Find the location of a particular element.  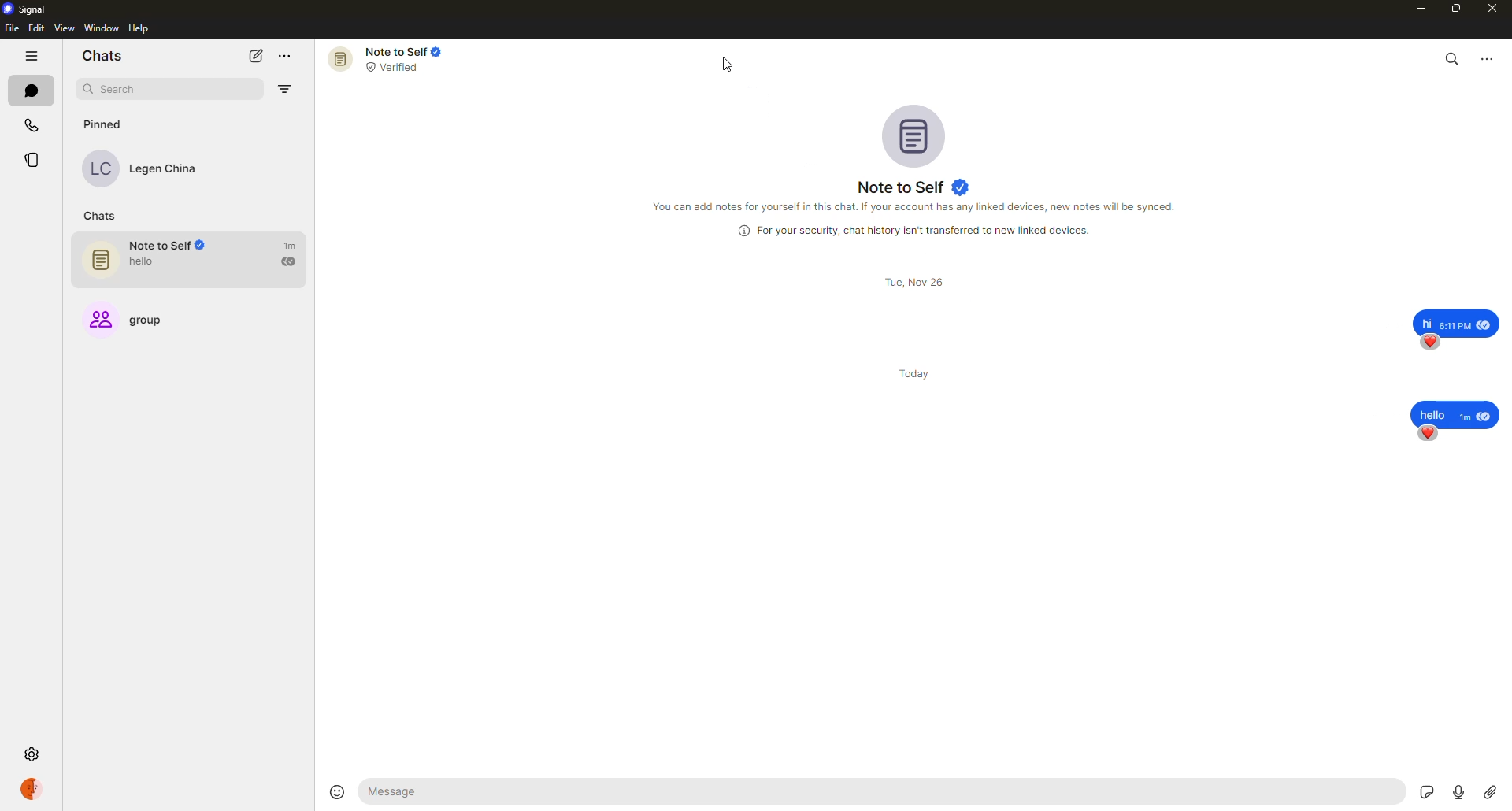

note to self is located at coordinates (391, 58).